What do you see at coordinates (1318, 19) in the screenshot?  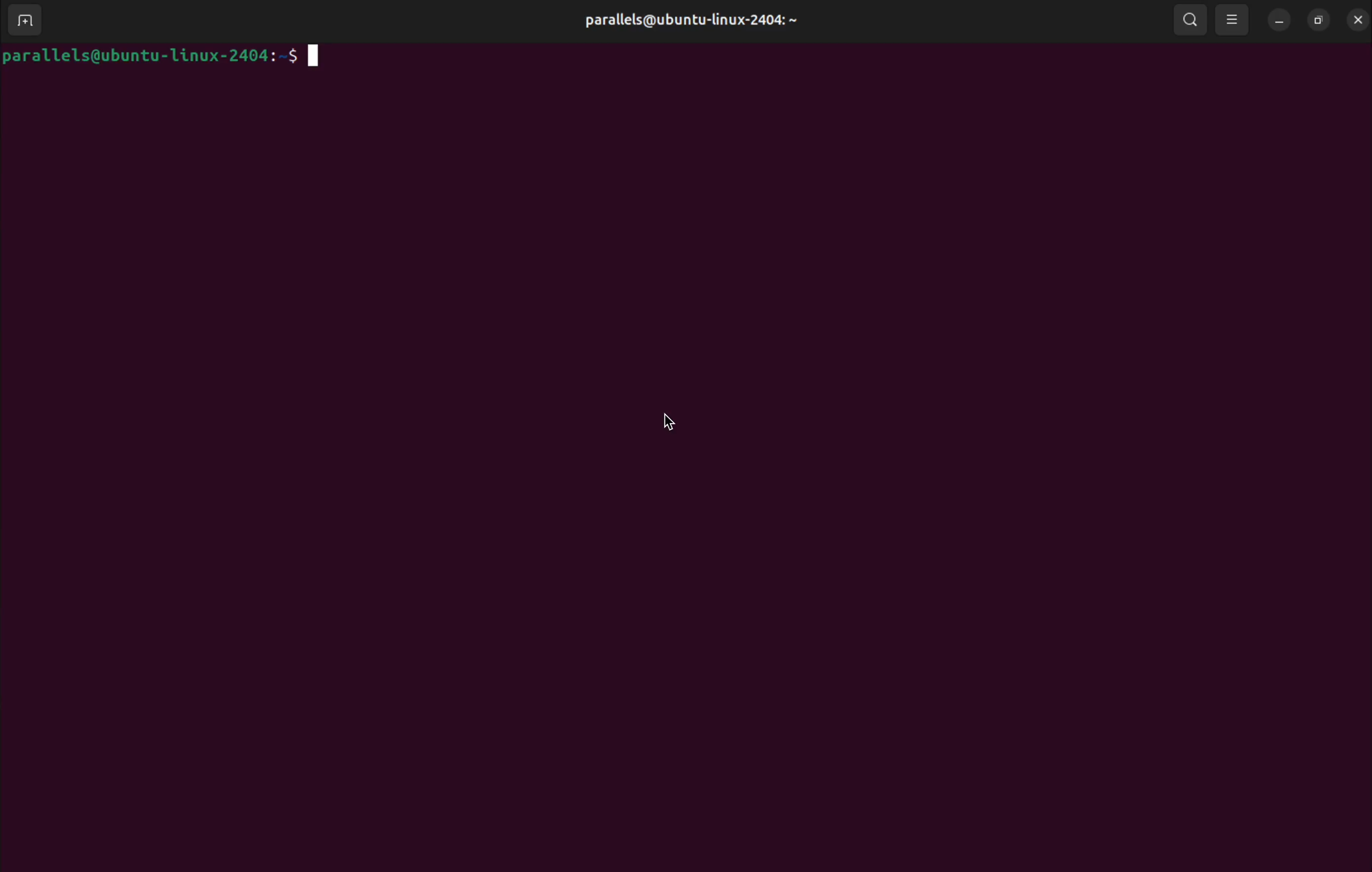 I see `resize` at bounding box center [1318, 19].